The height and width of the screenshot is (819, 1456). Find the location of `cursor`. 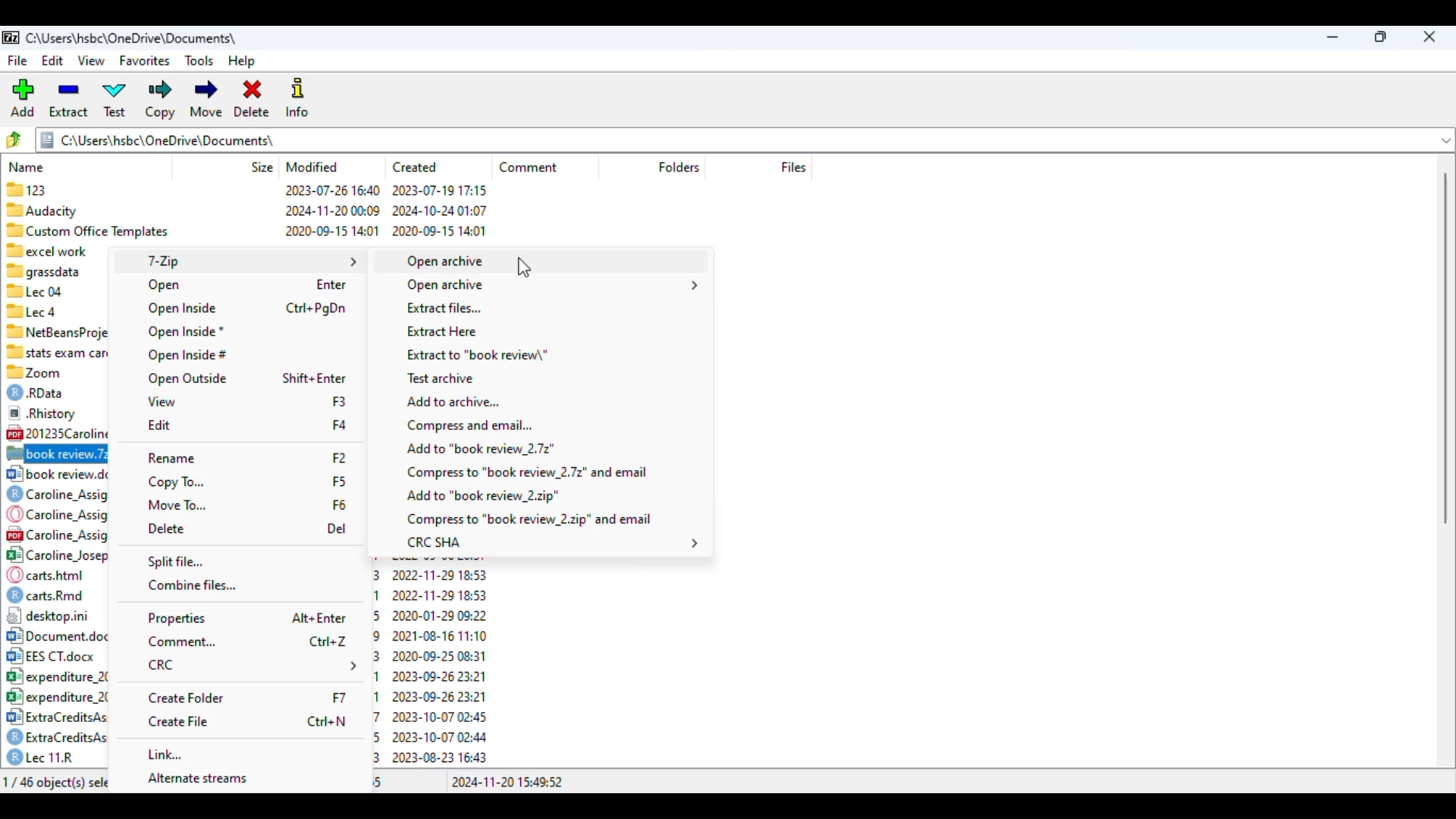

cursor is located at coordinates (522, 267).